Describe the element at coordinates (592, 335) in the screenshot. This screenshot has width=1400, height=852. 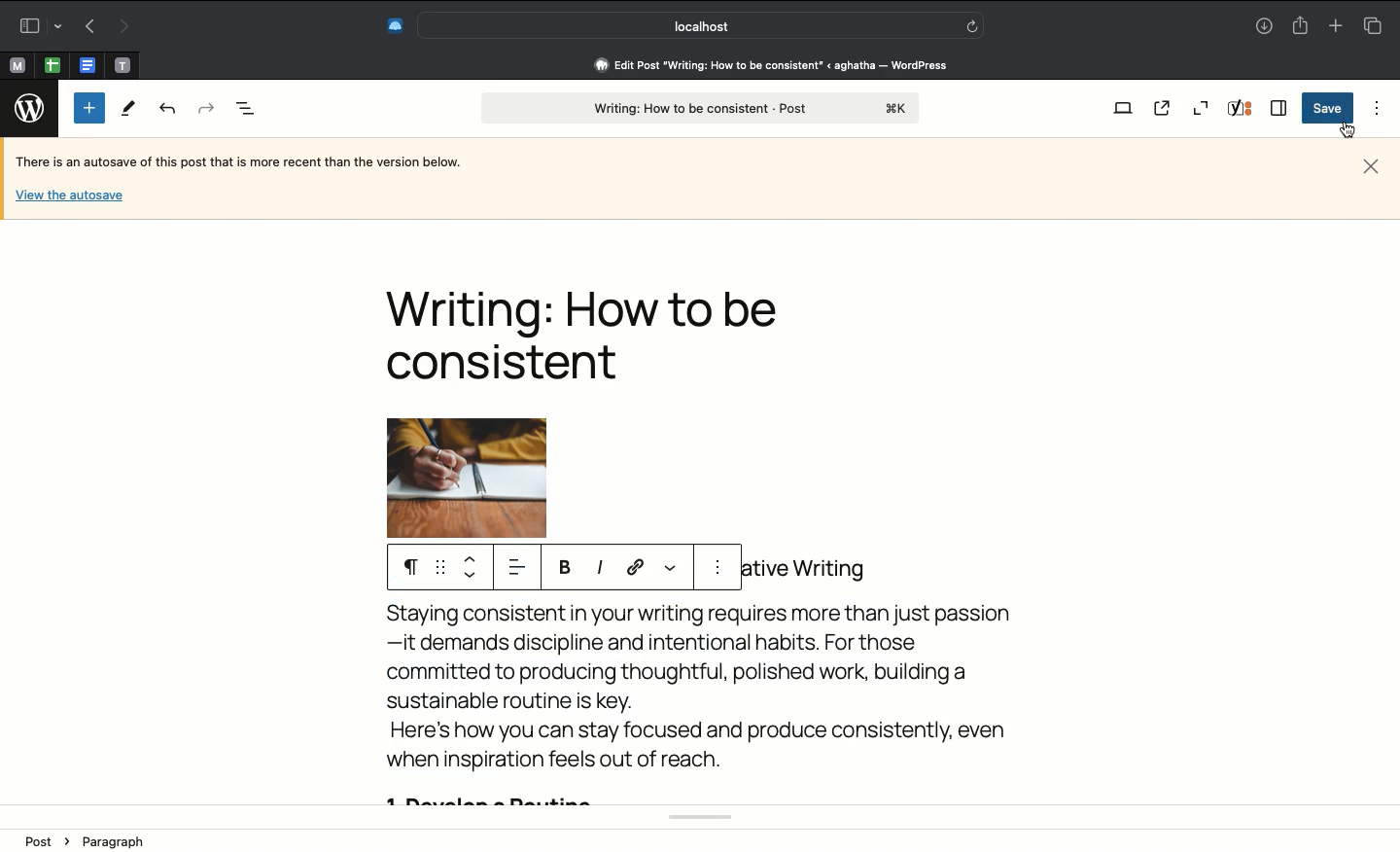
I see `Title` at that location.